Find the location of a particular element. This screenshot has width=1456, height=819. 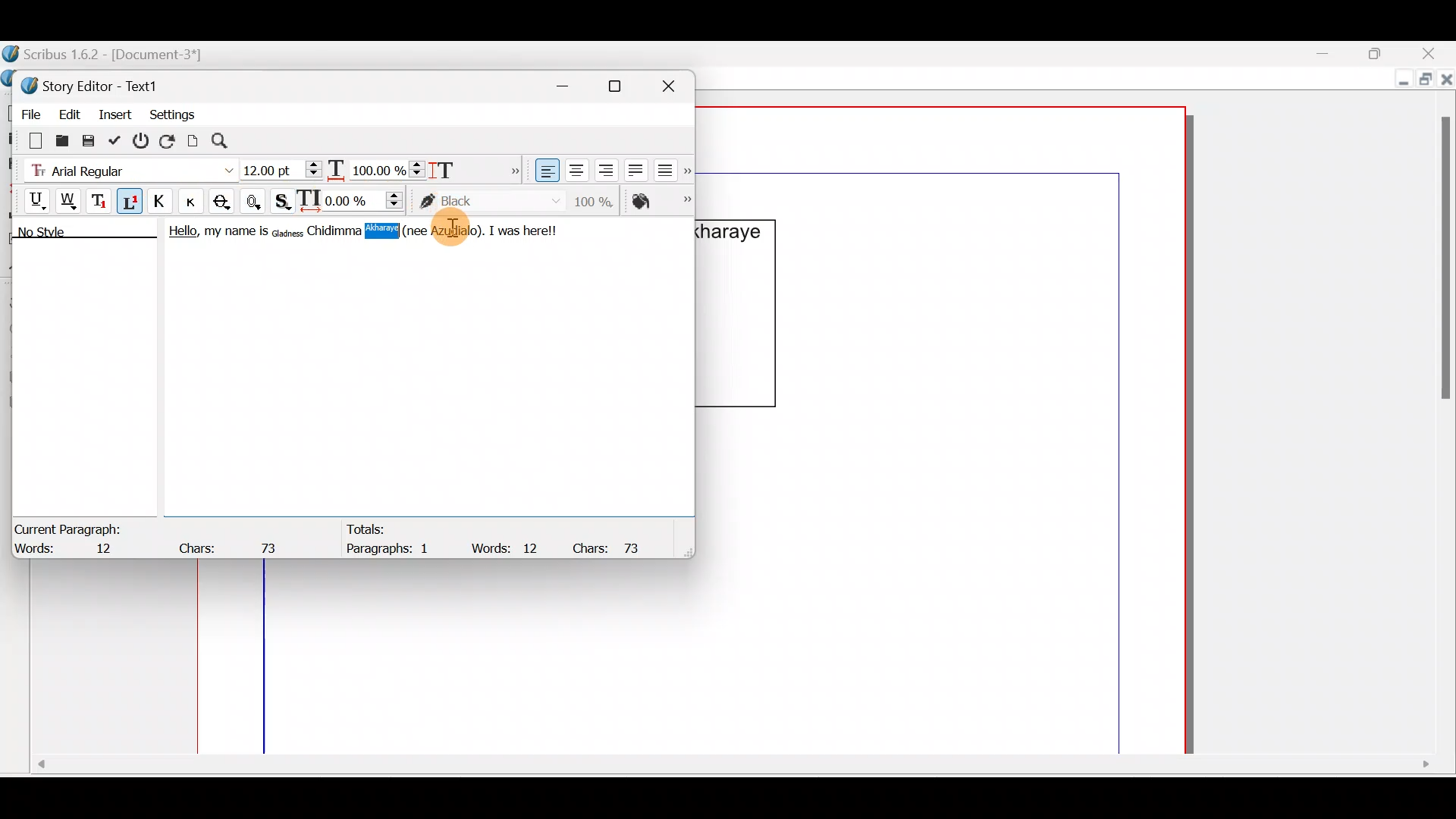

Scribus 1.6.2 - [Document-3*] is located at coordinates (120, 55).